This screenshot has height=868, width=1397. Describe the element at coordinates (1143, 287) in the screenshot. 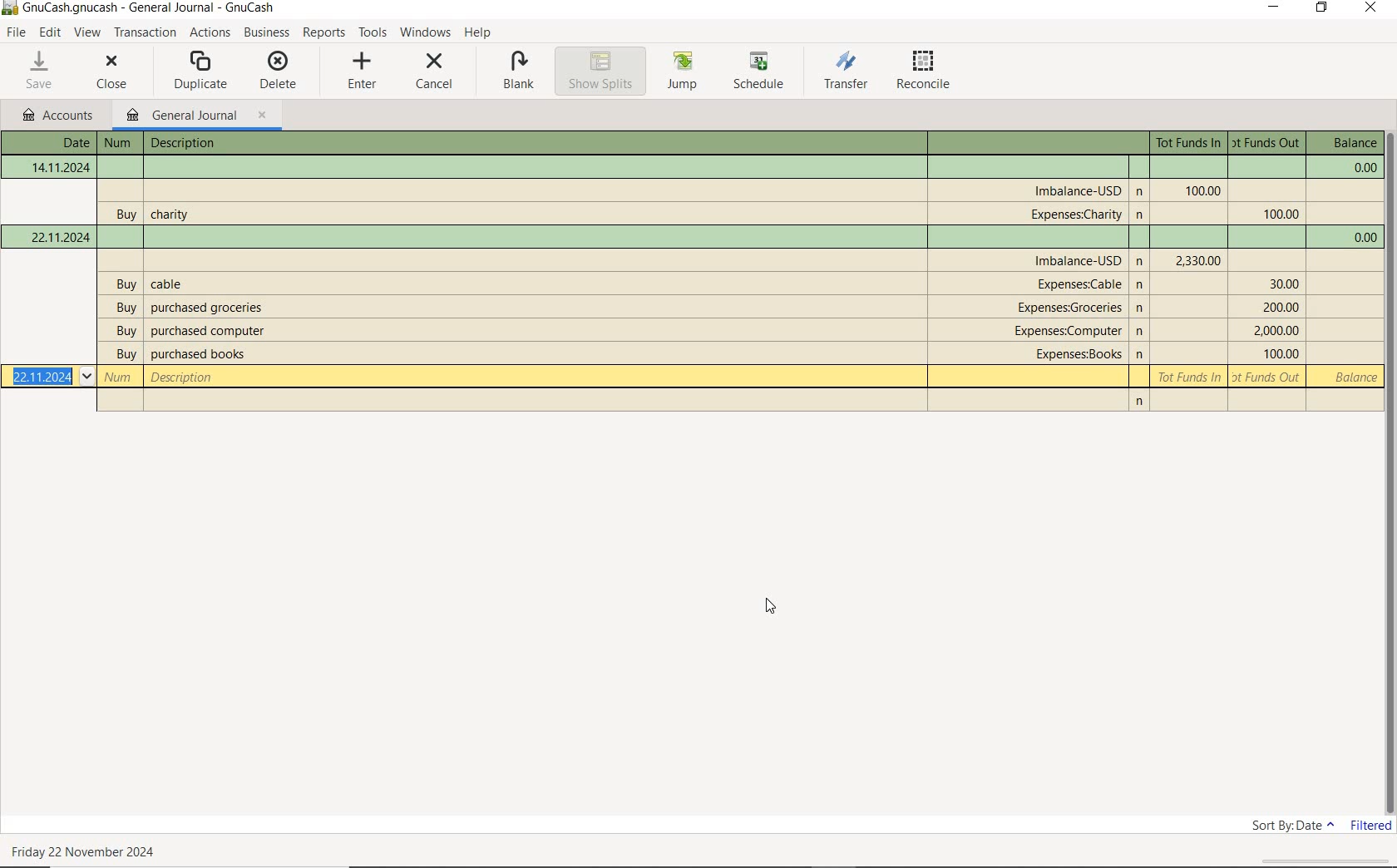

I see `n` at that location.